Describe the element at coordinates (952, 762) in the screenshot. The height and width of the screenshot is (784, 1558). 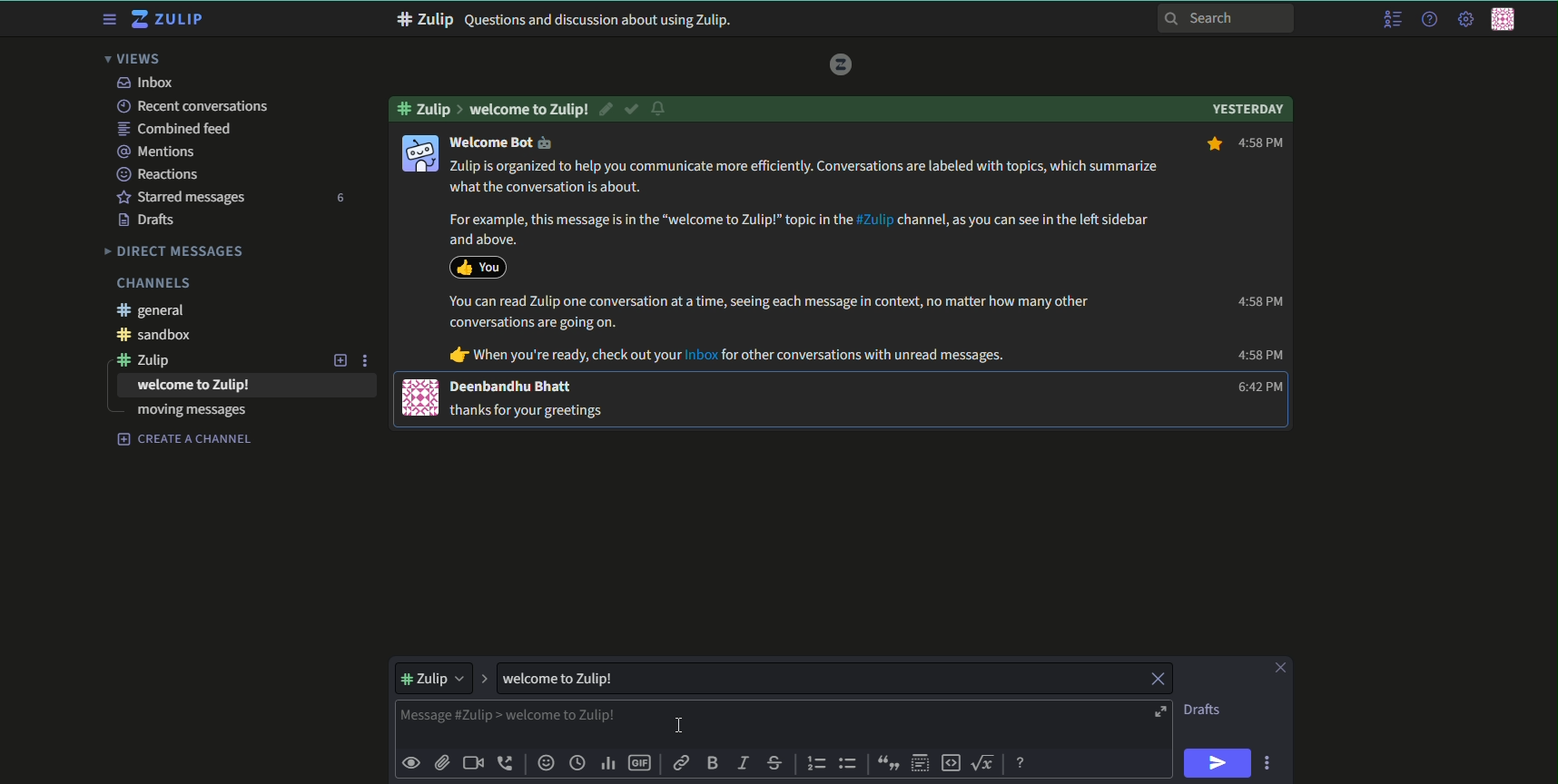
I see `code` at that location.